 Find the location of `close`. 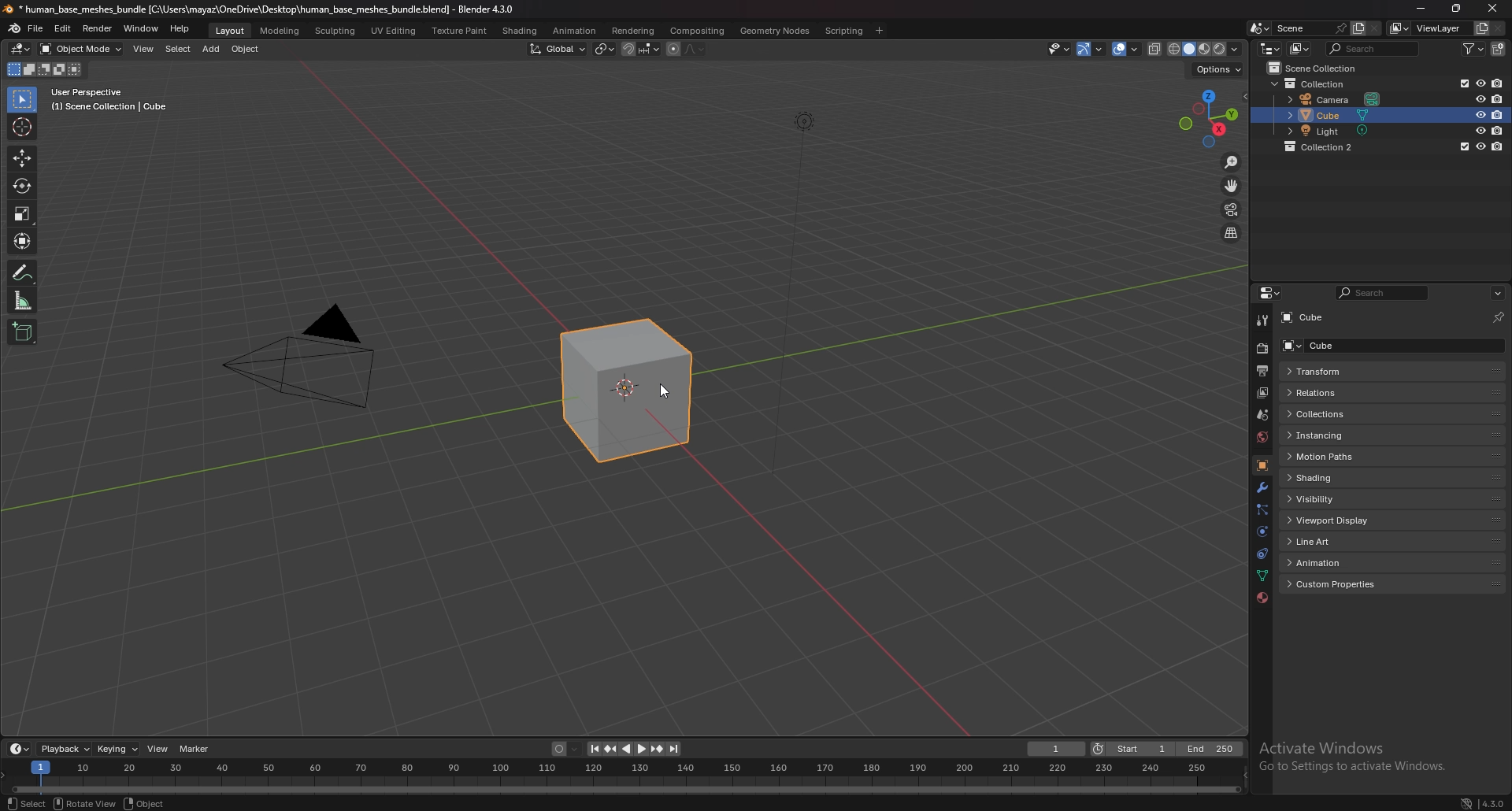

close is located at coordinates (1491, 8).